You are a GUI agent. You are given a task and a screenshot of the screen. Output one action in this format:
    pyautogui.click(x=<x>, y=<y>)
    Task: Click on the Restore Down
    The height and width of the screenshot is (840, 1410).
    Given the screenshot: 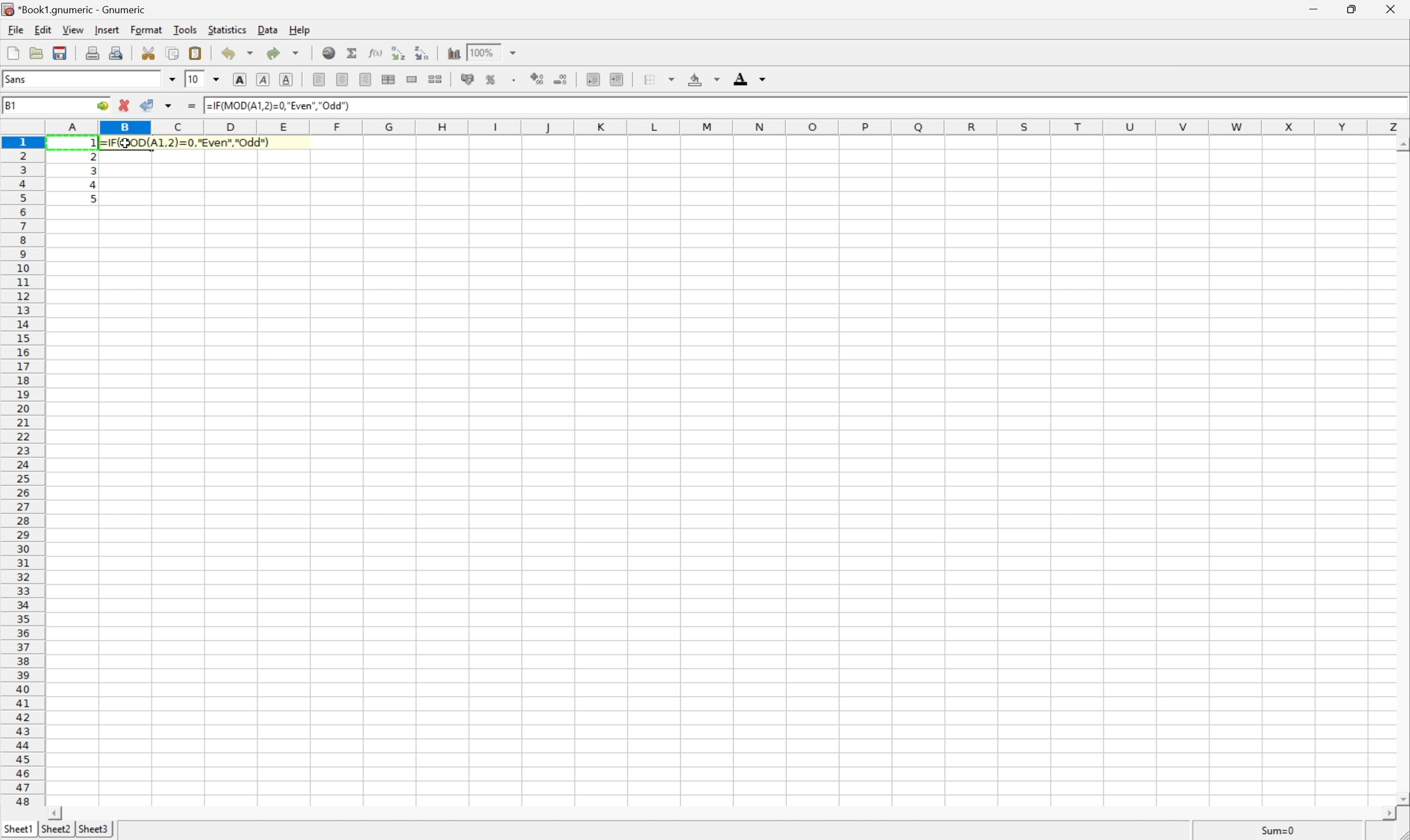 What is the action you would take?
    pyautogui.click(x=1354, y=7)
    